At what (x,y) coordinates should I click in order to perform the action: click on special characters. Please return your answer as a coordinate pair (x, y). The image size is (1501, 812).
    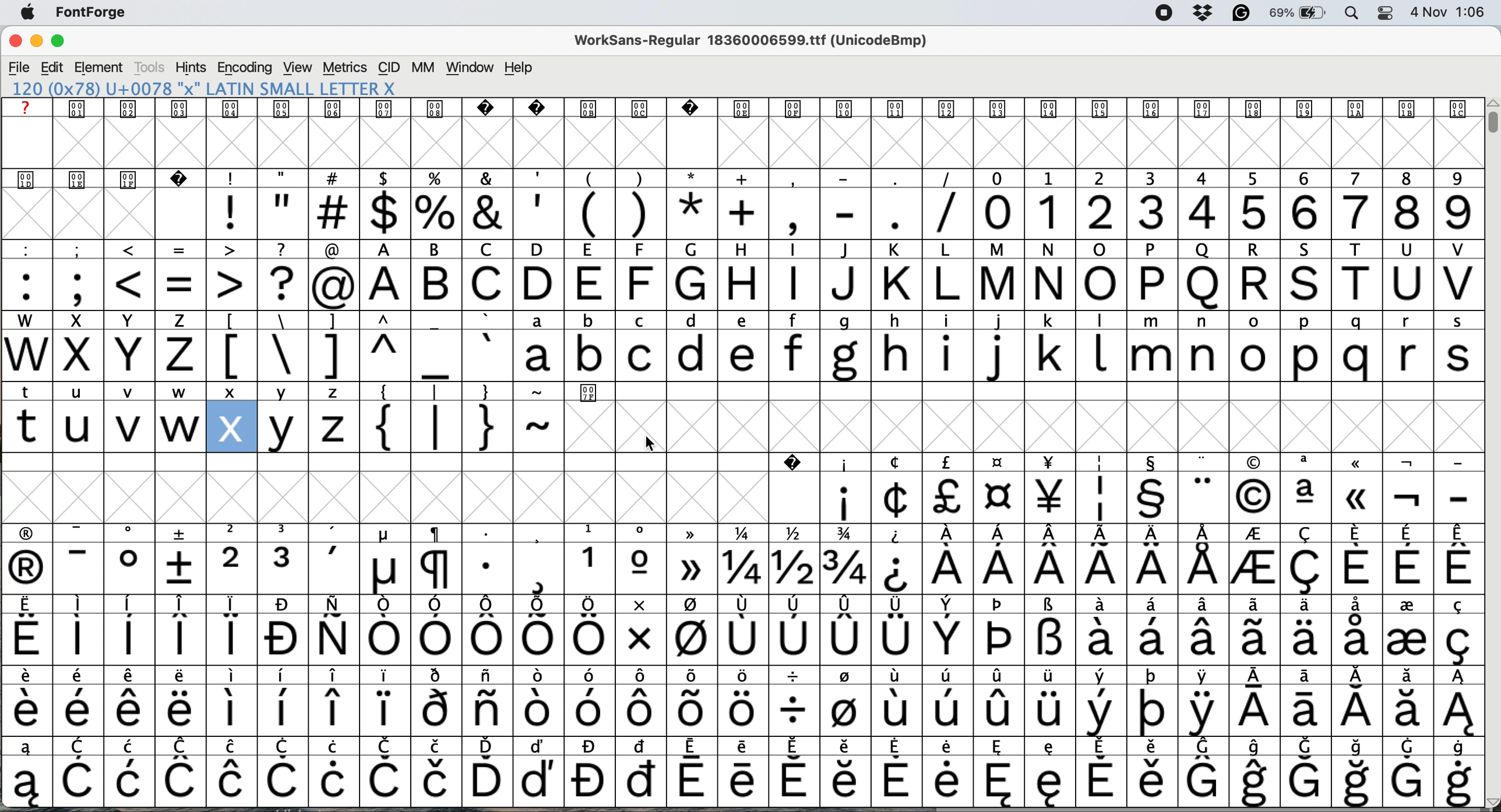
    Looking at the image, I should click on (740, 569).